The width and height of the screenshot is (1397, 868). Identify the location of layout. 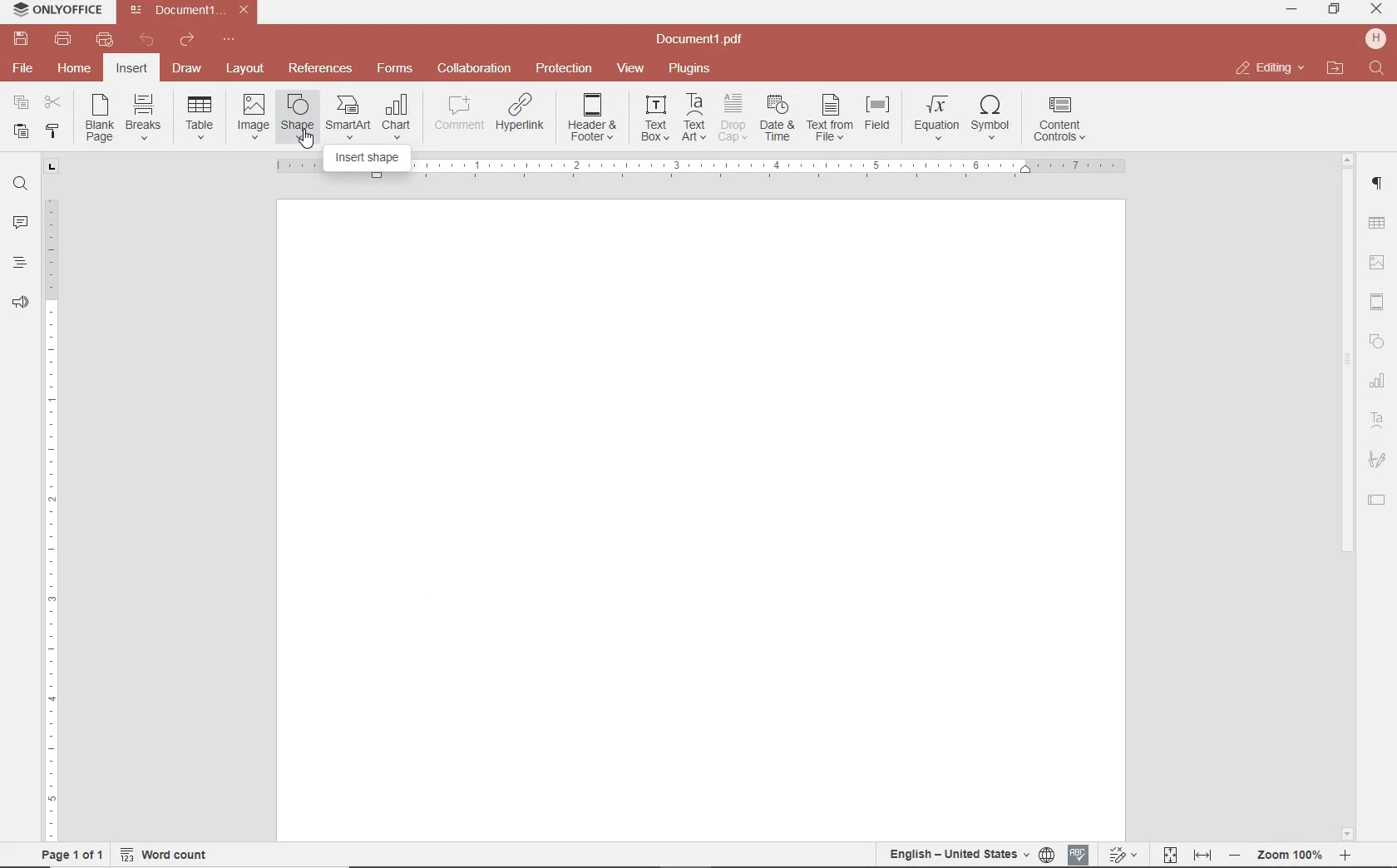
(248, 70).